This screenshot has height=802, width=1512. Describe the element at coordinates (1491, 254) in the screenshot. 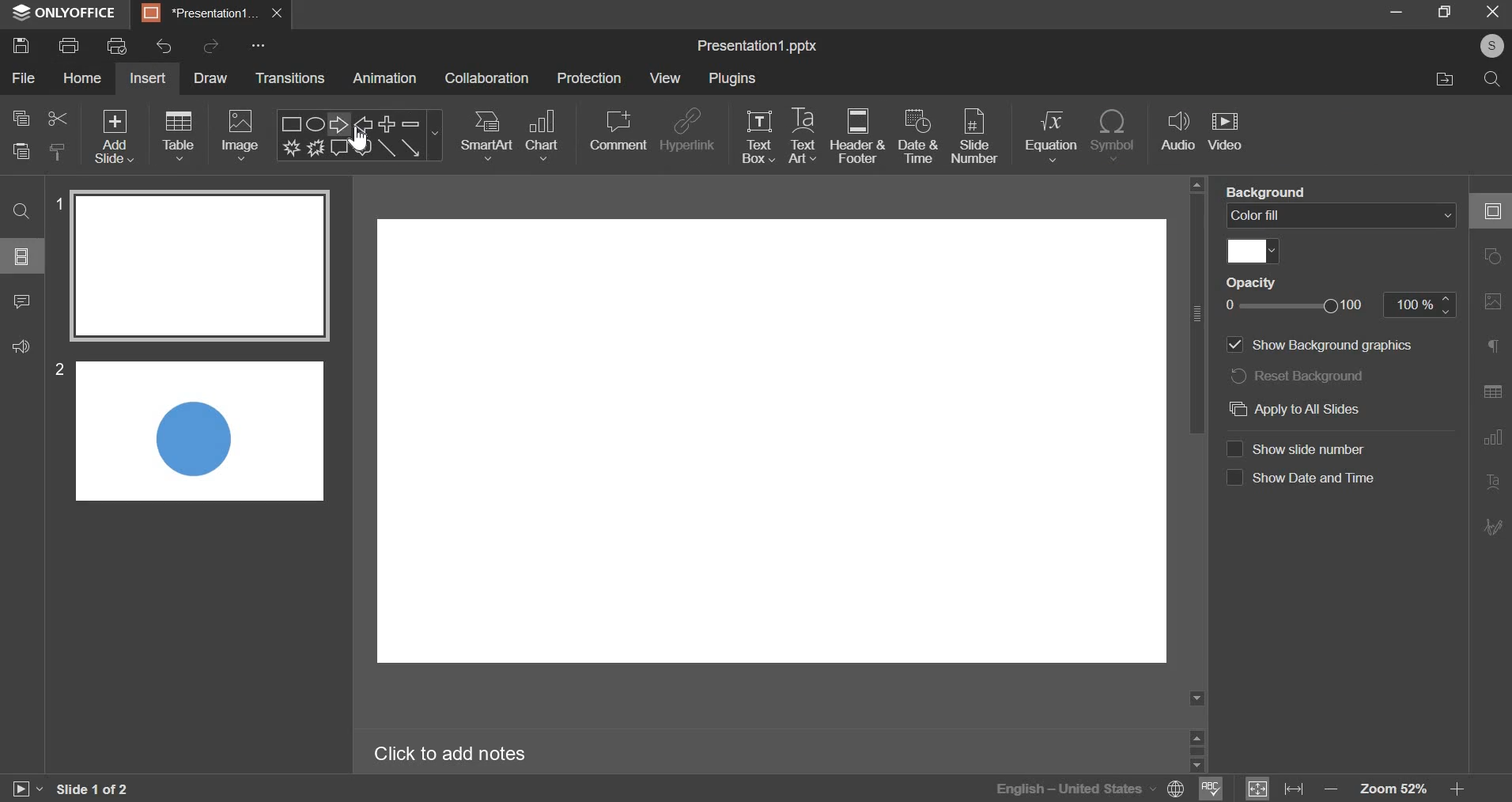

I see `Shape settings` at that location.